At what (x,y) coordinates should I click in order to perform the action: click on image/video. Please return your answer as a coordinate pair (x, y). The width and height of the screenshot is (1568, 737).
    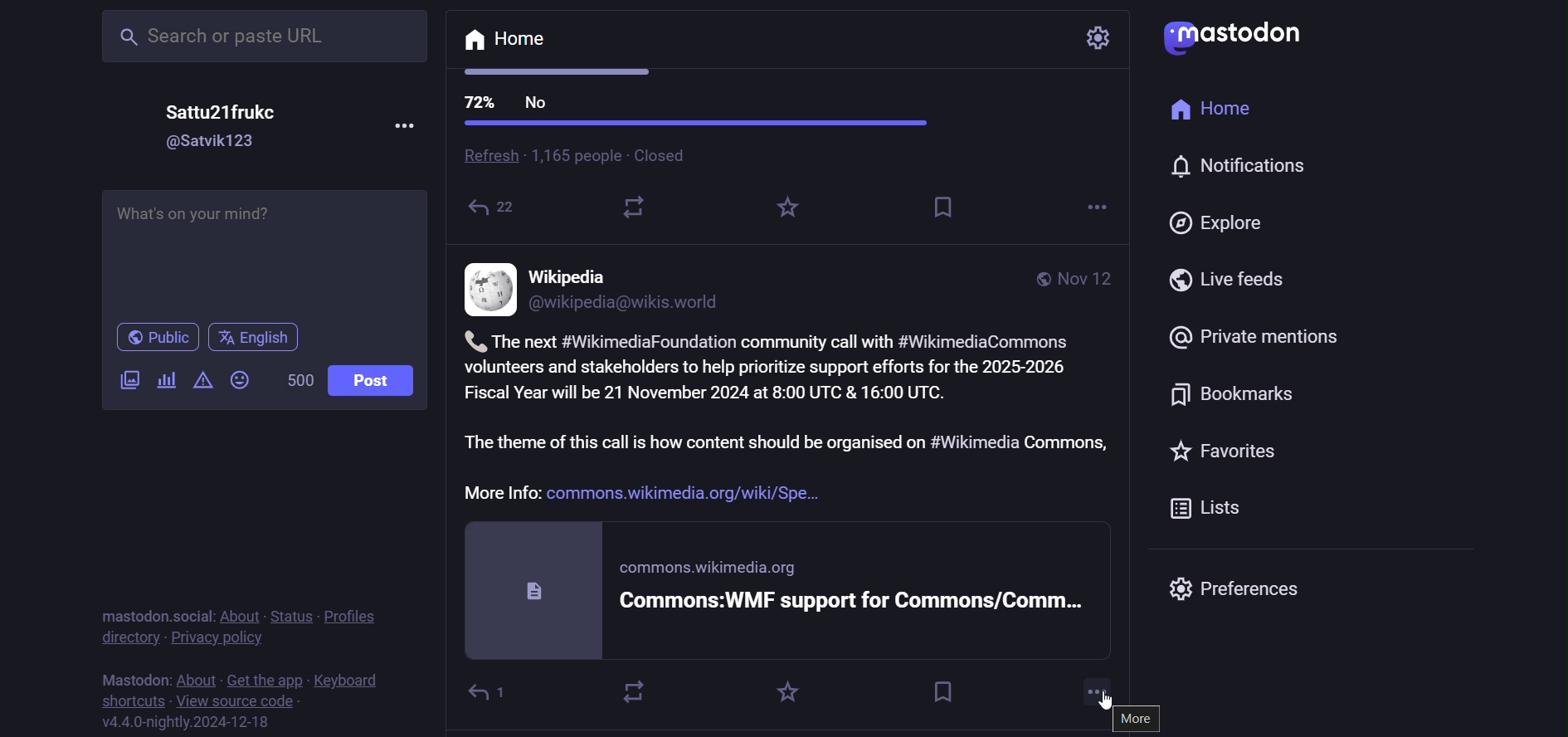
    Looking at the image, I should click on (129, 379).